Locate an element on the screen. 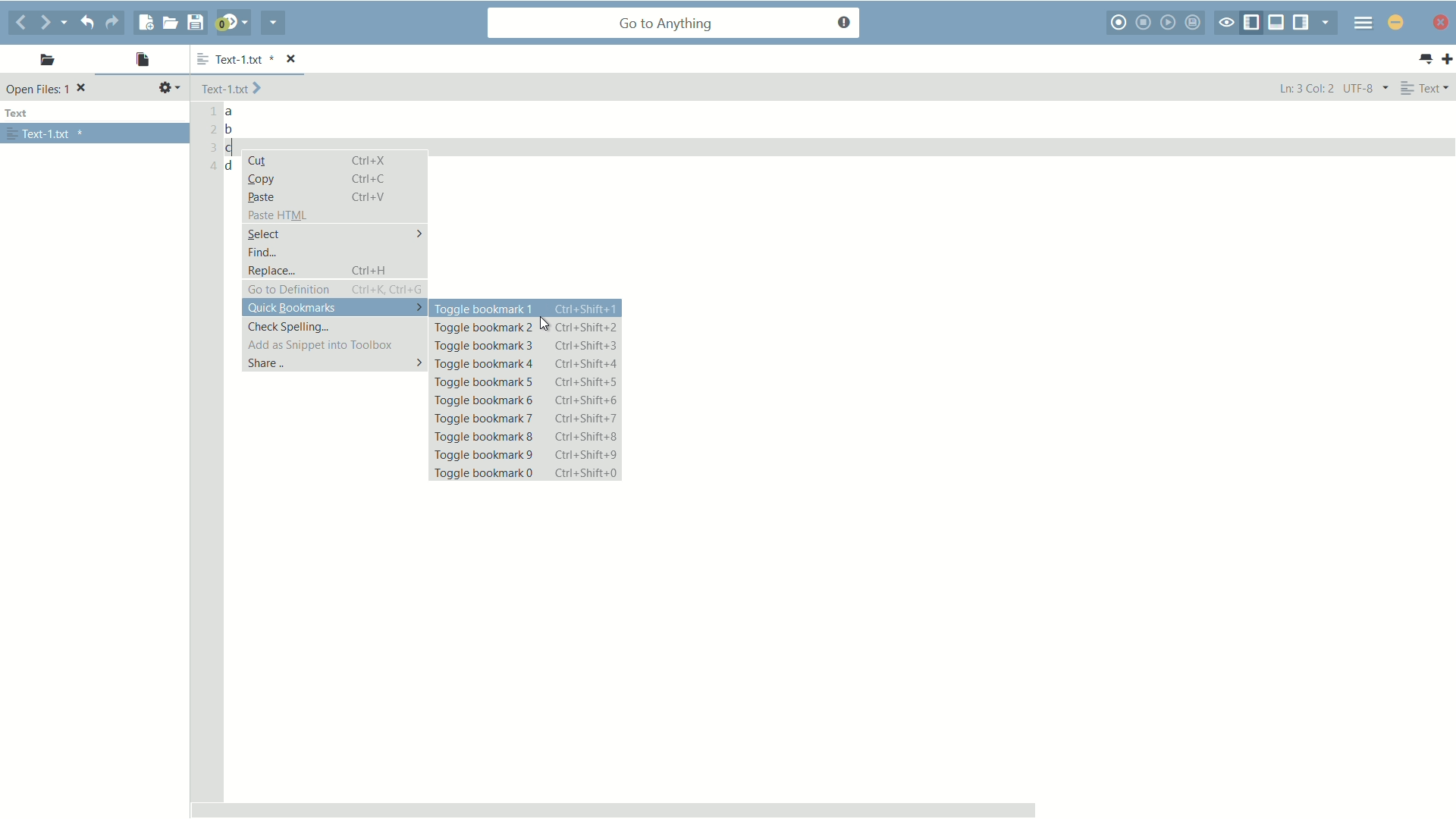 Image resolution: width=1456 pixels, height=819 pixels. go to anything is located at coordinates (676, 24).